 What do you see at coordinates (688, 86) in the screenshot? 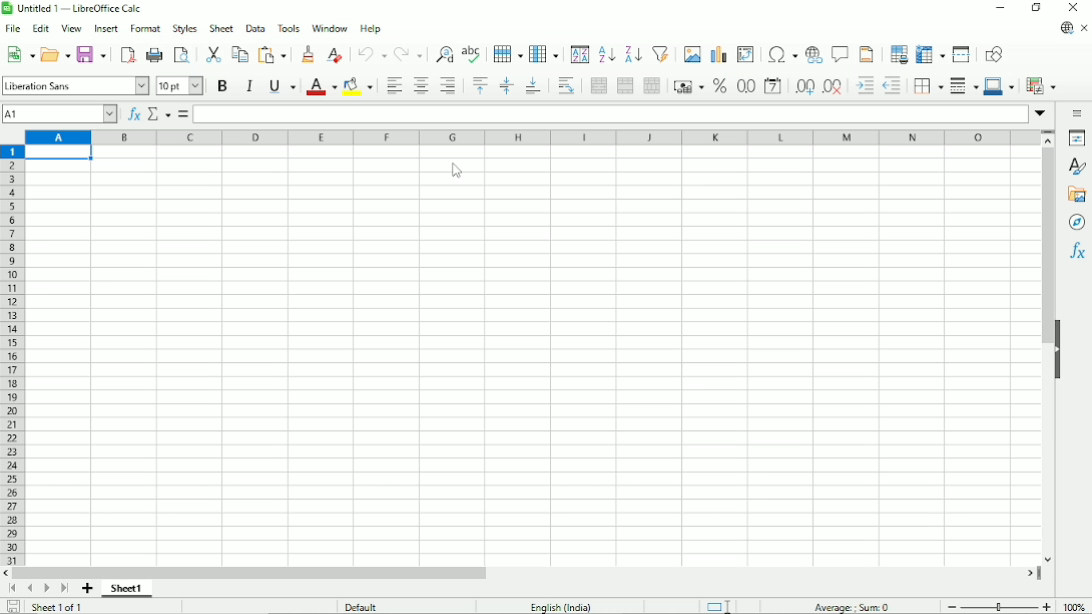
I see `Format as currency` at bounding box center [688, 86].